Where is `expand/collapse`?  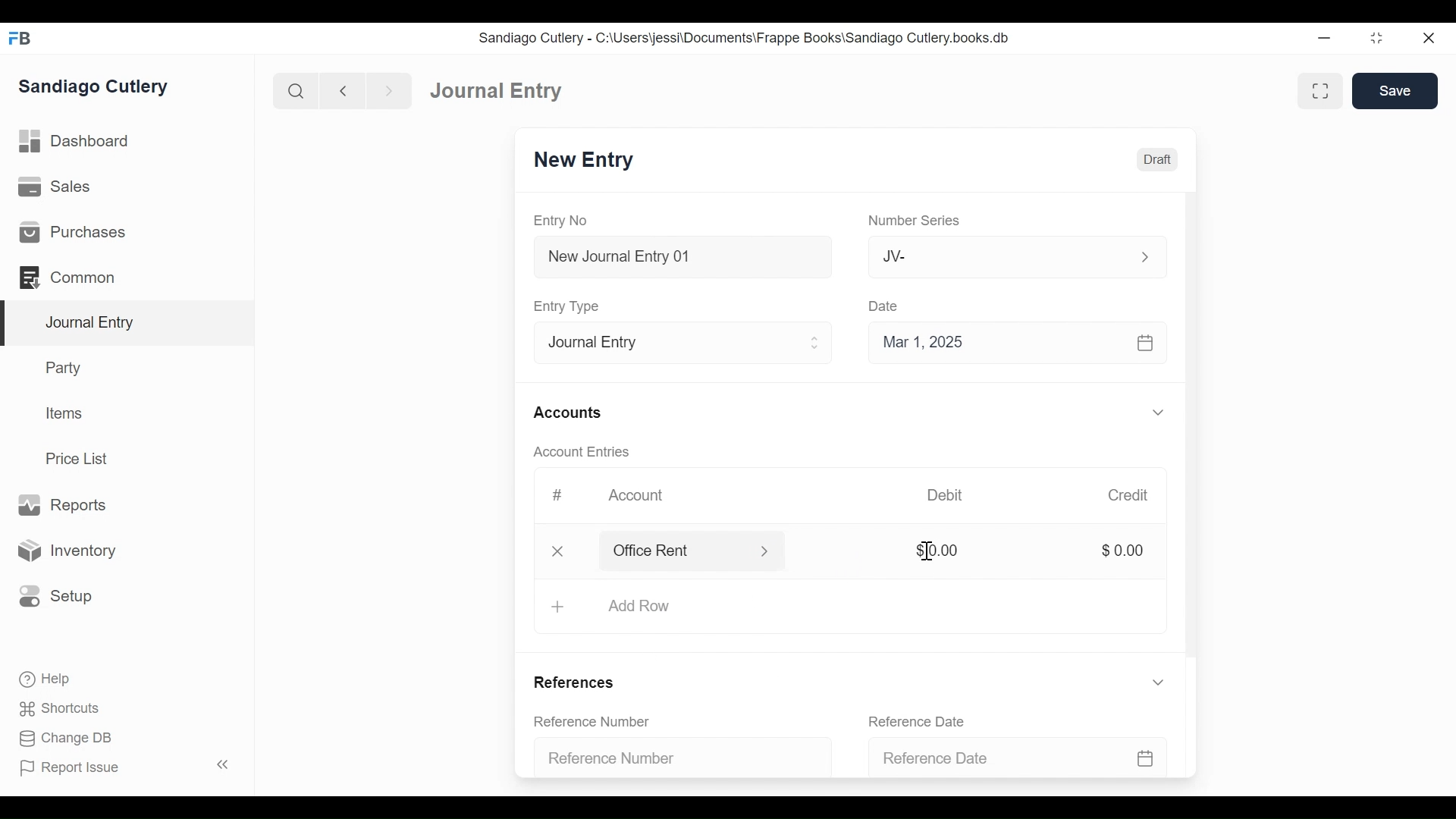
expand/collapse is located at coordinates (1157, 412).